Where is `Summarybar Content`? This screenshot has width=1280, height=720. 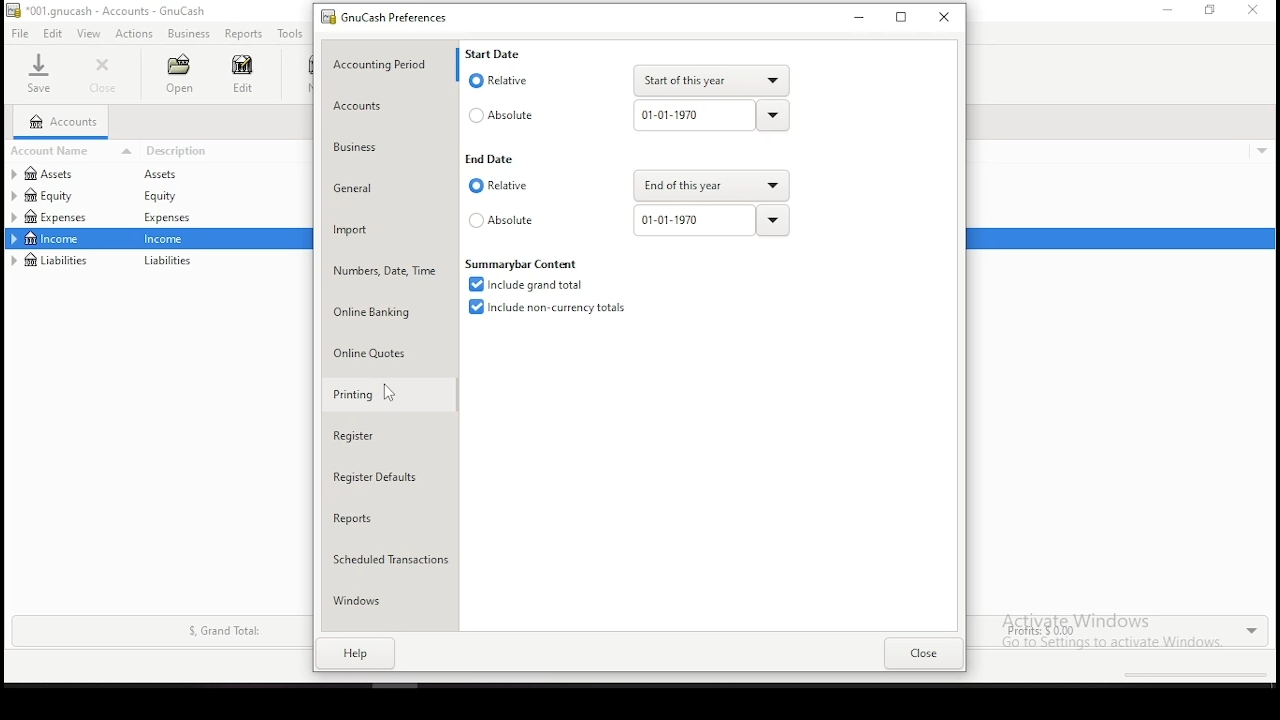 Summarybar Content is located at coordinates (525, 265).